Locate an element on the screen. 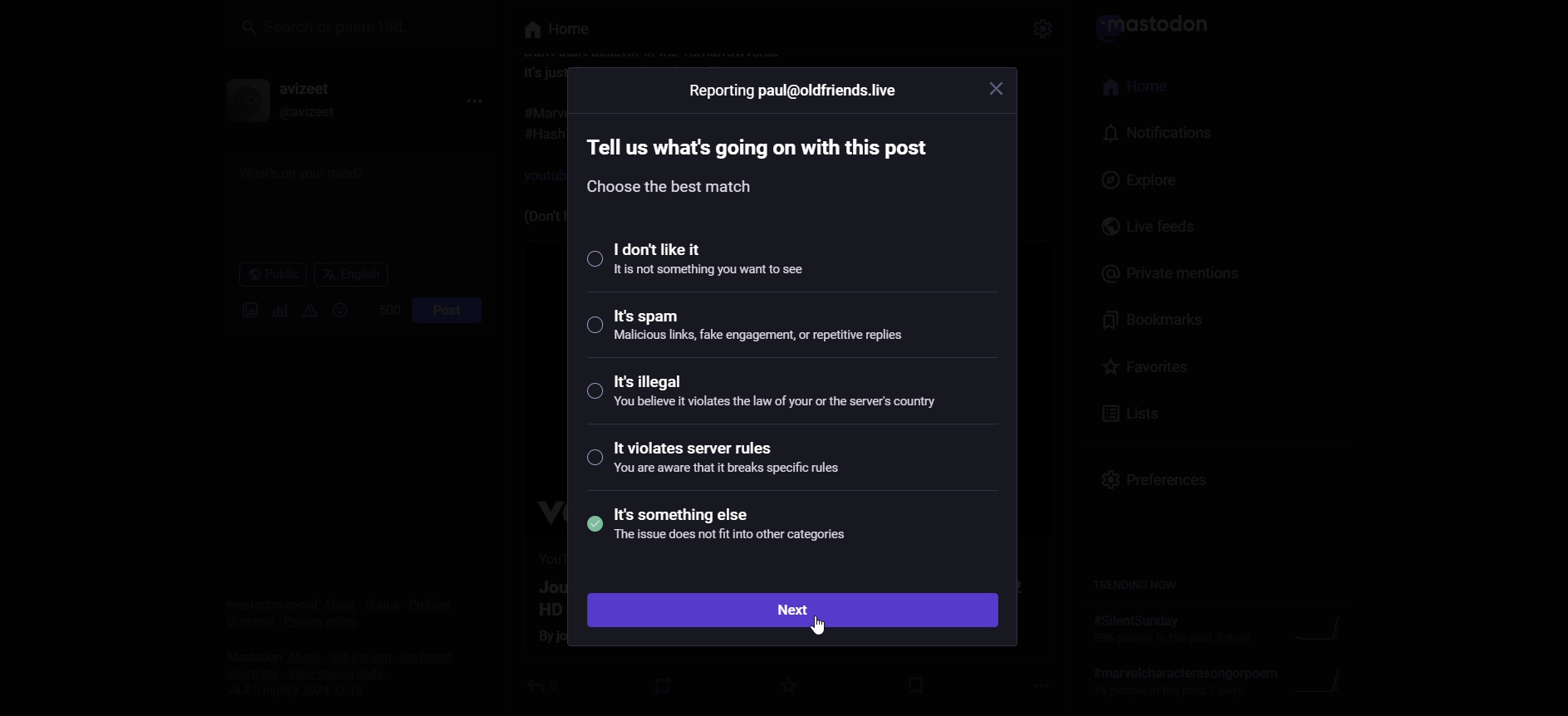 This screenshot has width=1568, height=716. text is located at coordinates (760, 164).